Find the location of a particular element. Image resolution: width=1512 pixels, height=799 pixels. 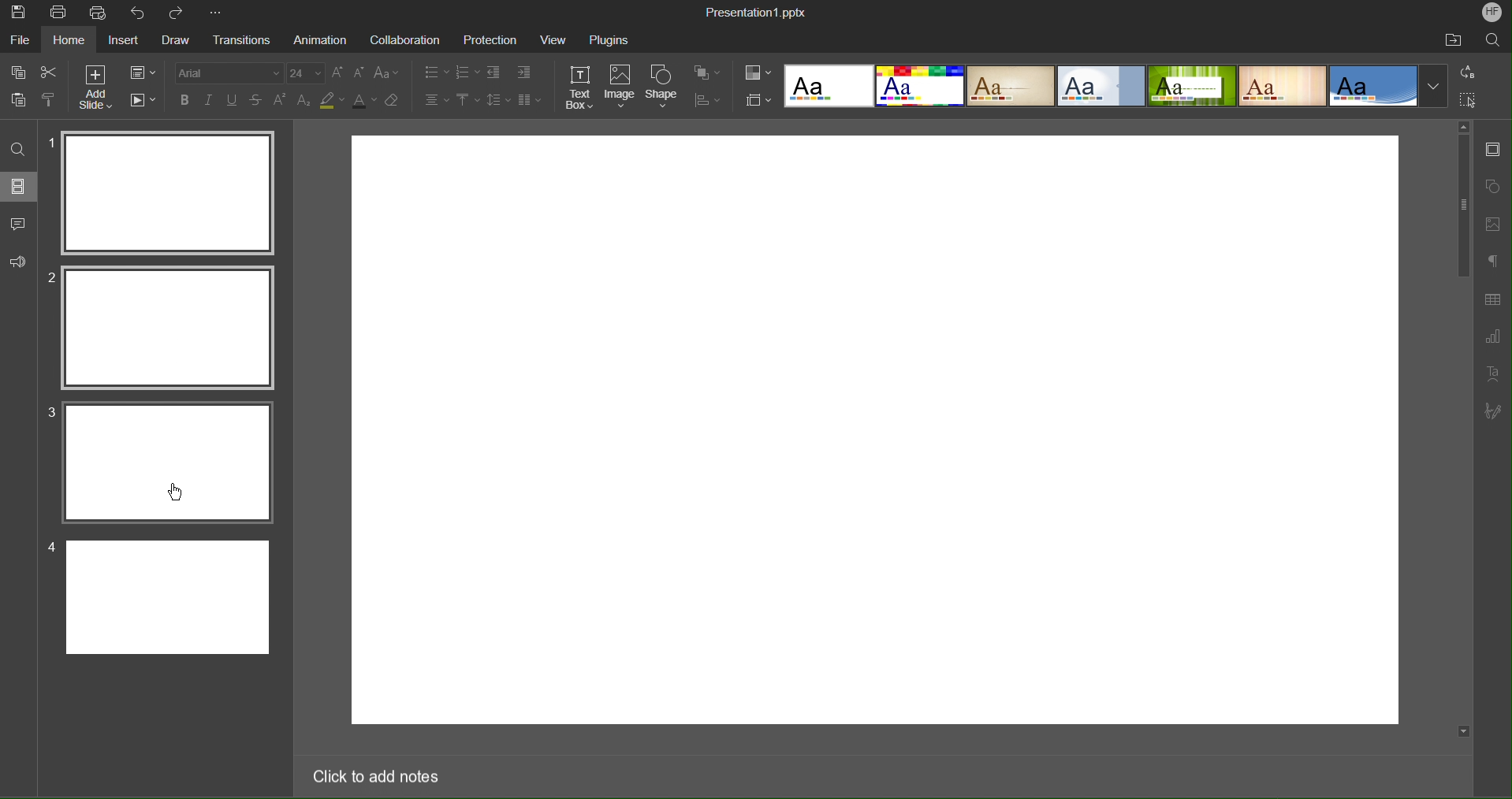

workspace is located at coordinates (875, 429).